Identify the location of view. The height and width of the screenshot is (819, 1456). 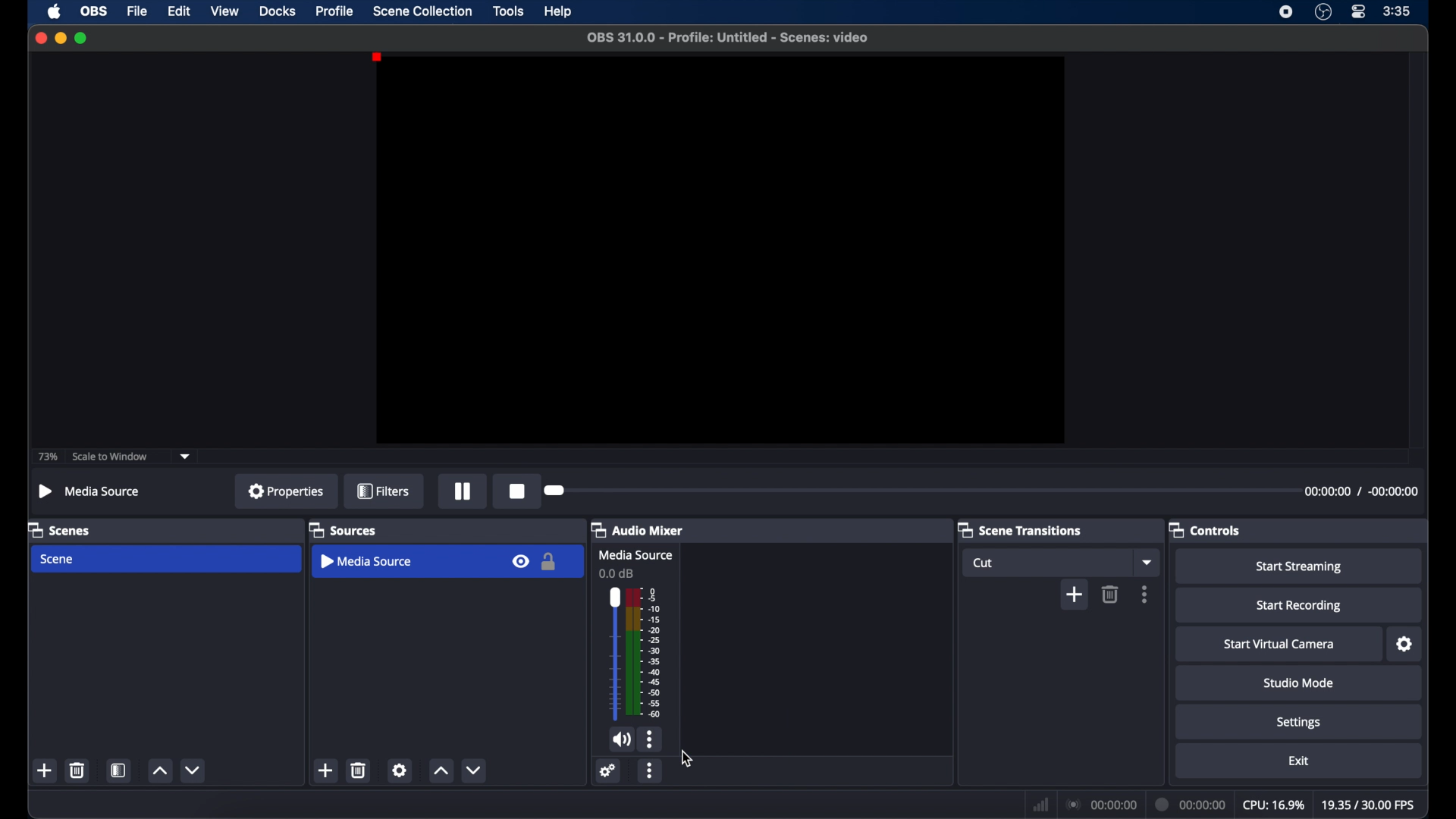
(226, 12).